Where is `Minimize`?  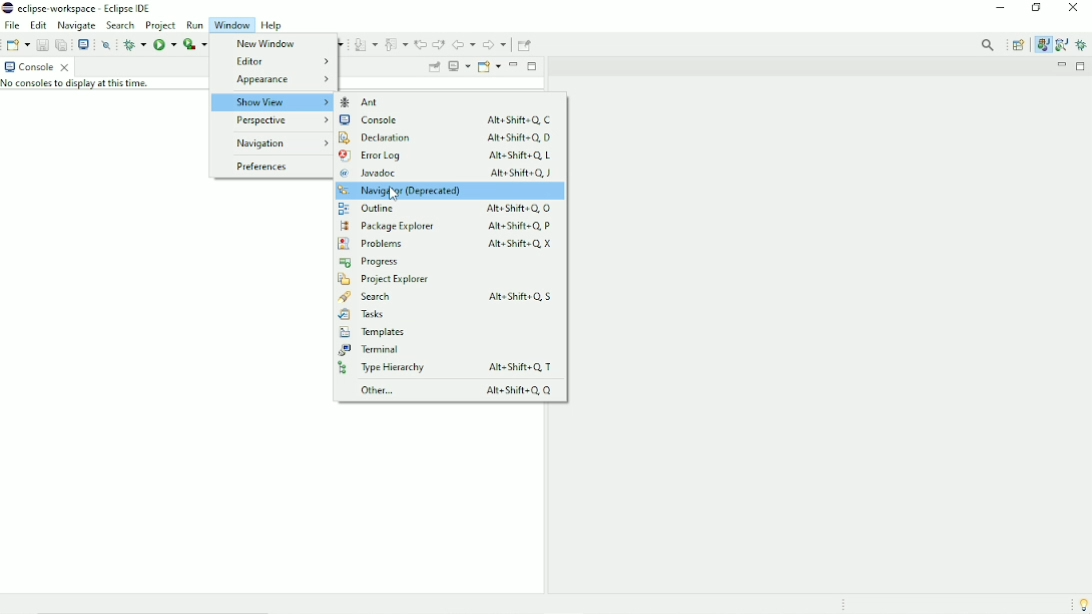
Minimize is located at coordinates (514, 64).